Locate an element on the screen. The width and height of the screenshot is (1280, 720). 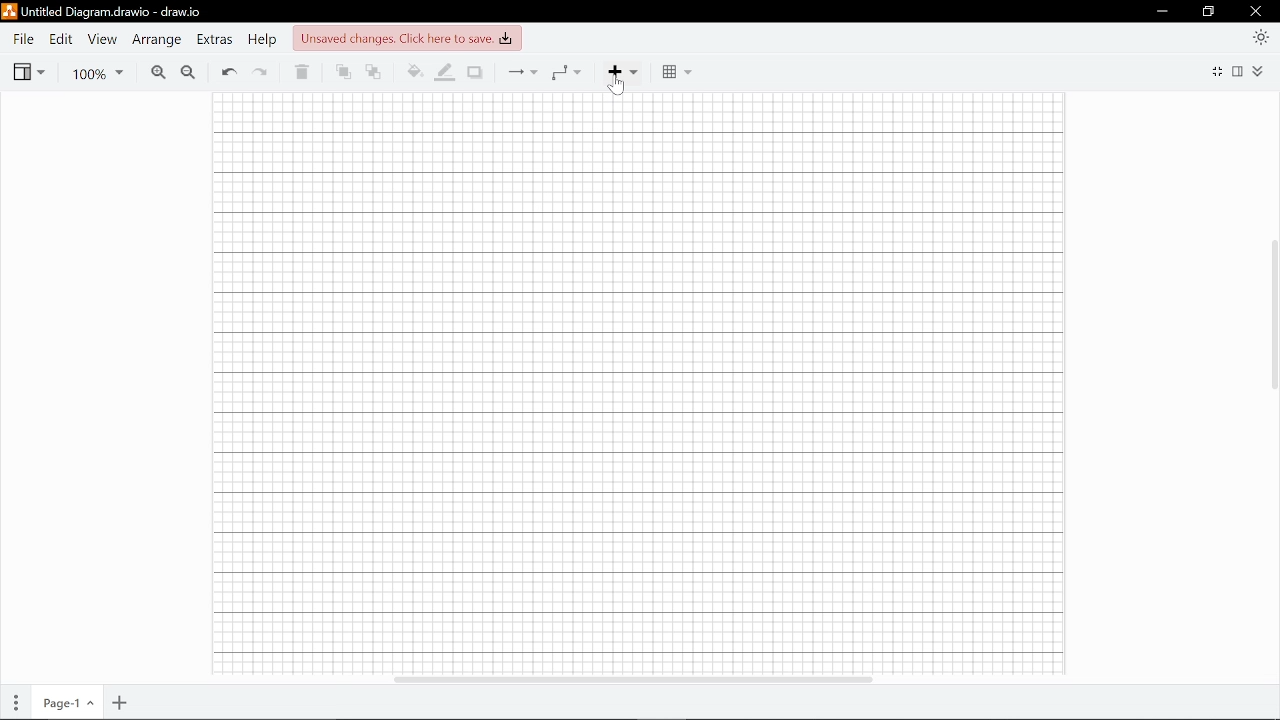
Waypoints is located at coordinates (565, 74).